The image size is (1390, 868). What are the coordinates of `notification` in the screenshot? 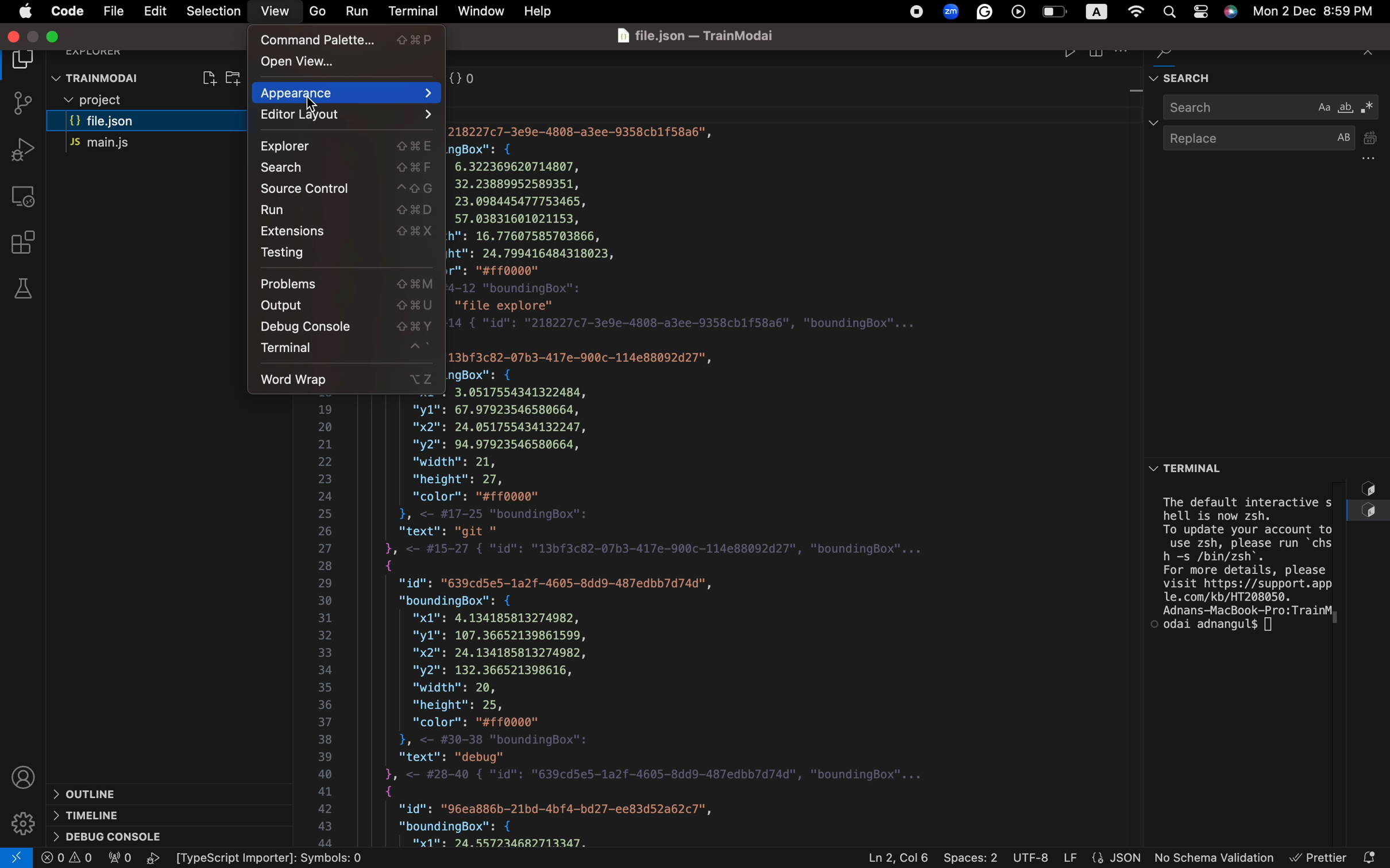 It's located at (1371, 853).